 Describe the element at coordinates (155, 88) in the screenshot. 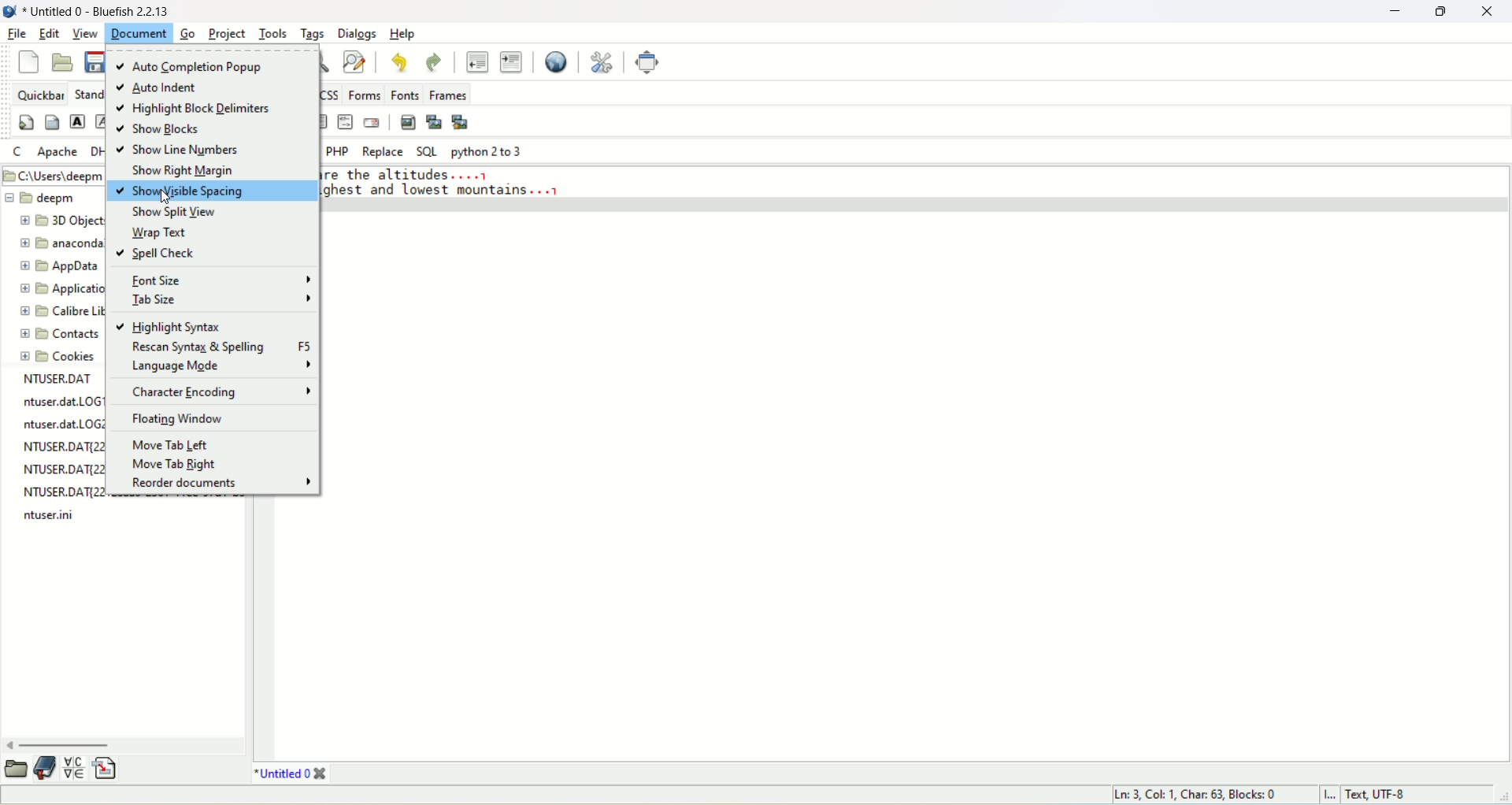

I see `auto indent` at that location.